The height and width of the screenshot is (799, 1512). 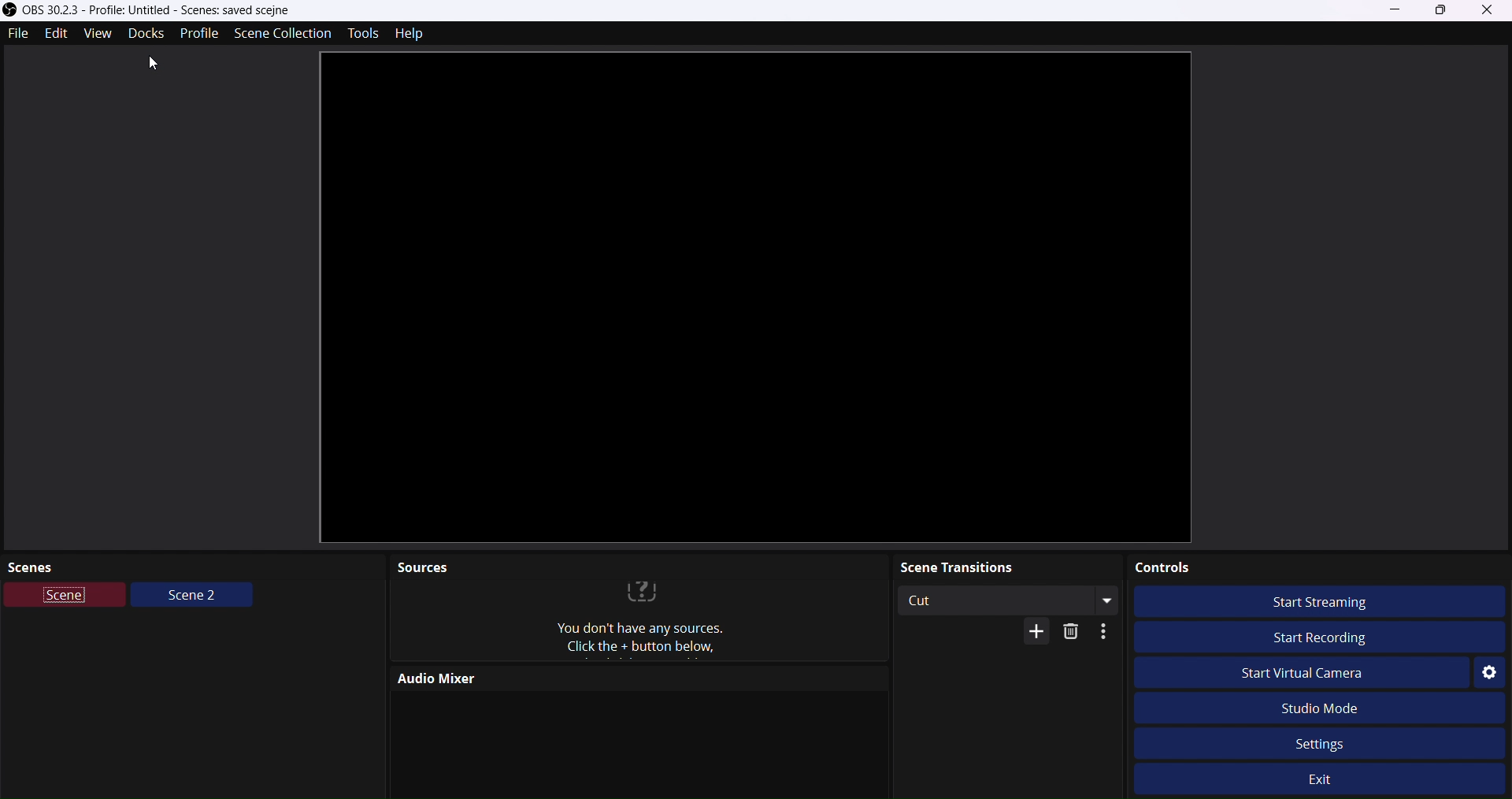 I want to click on Tools, so click(x=358, y=34).